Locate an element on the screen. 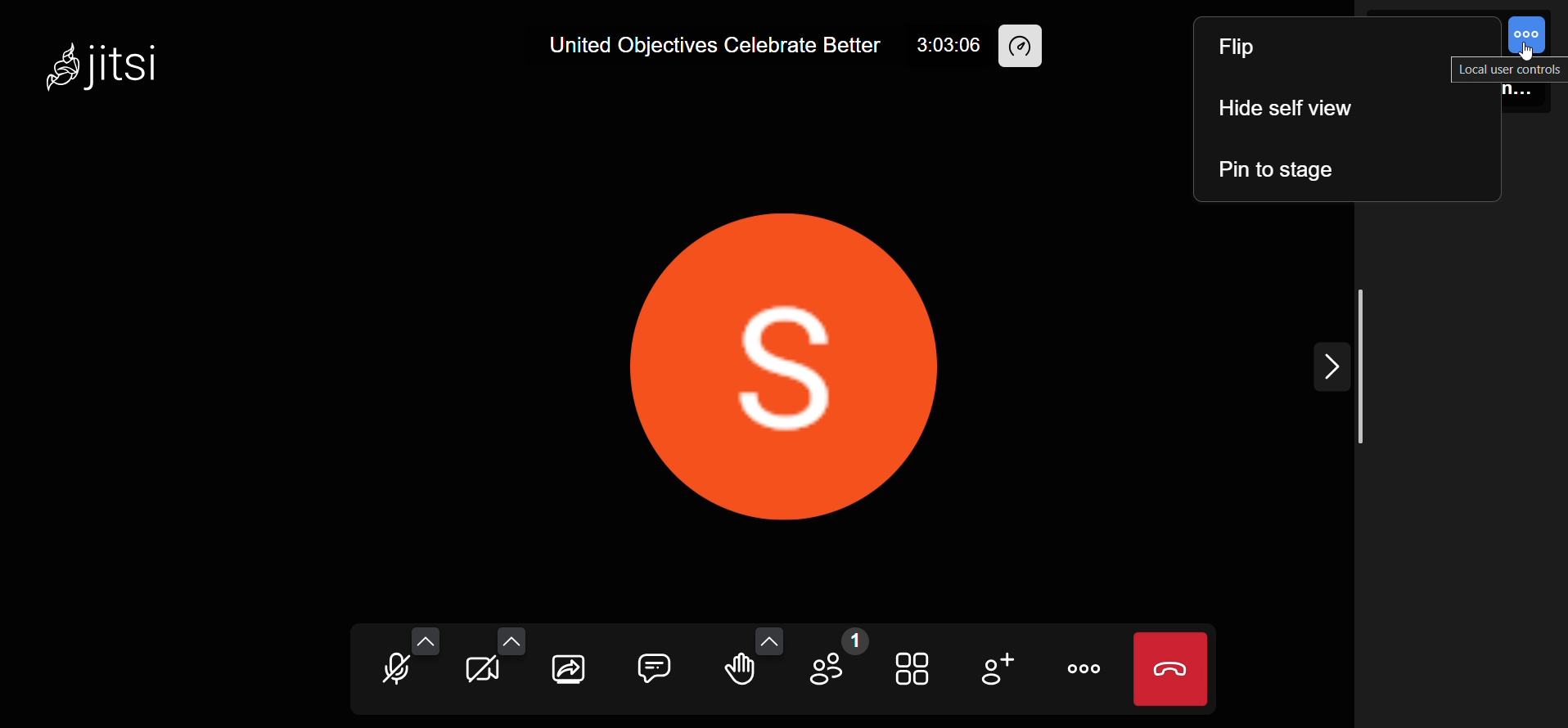  raise hand is located at coordinates (736, 670).